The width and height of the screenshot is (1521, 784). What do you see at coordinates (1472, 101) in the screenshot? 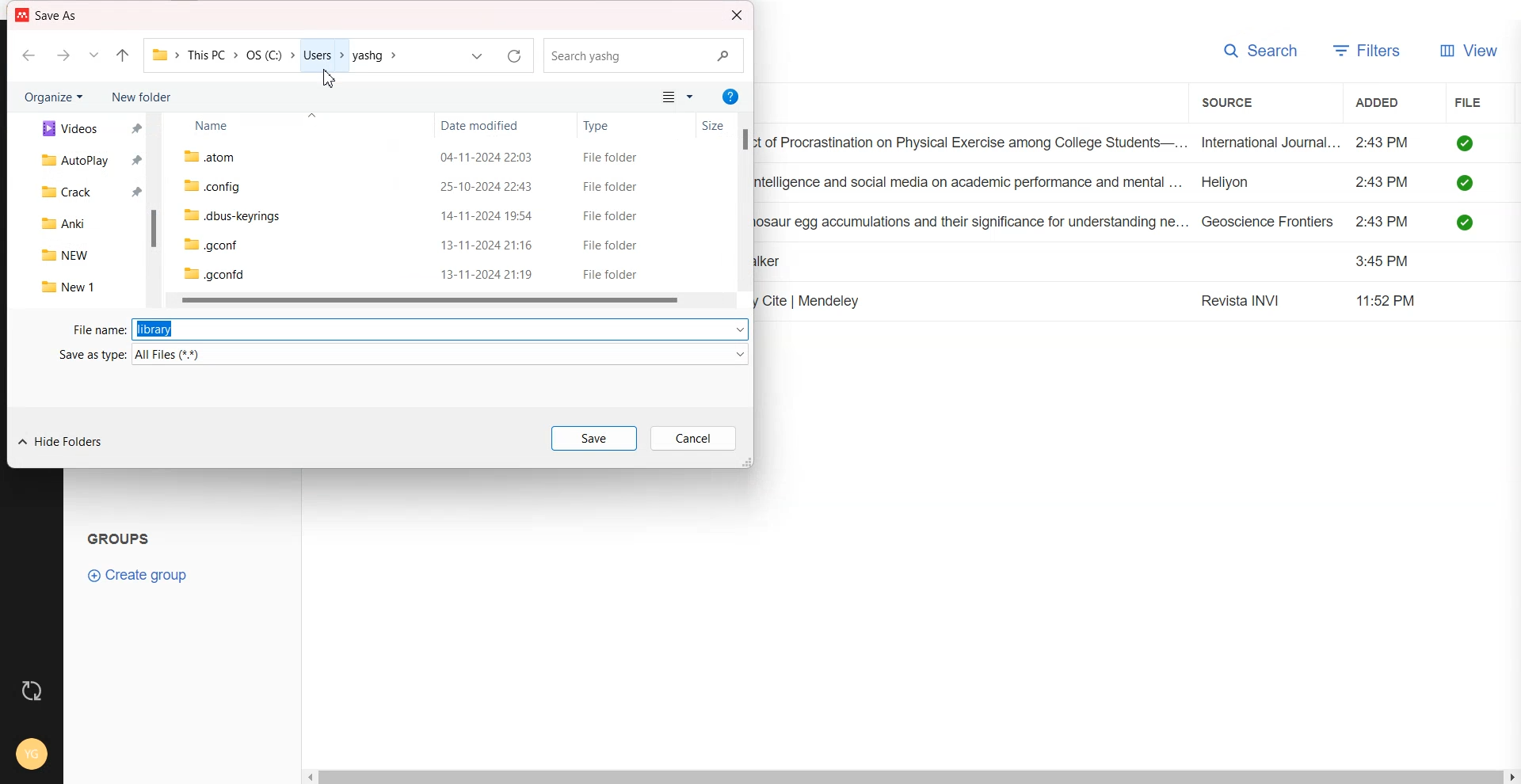
I see `File` at bounding box center [1472, 101].